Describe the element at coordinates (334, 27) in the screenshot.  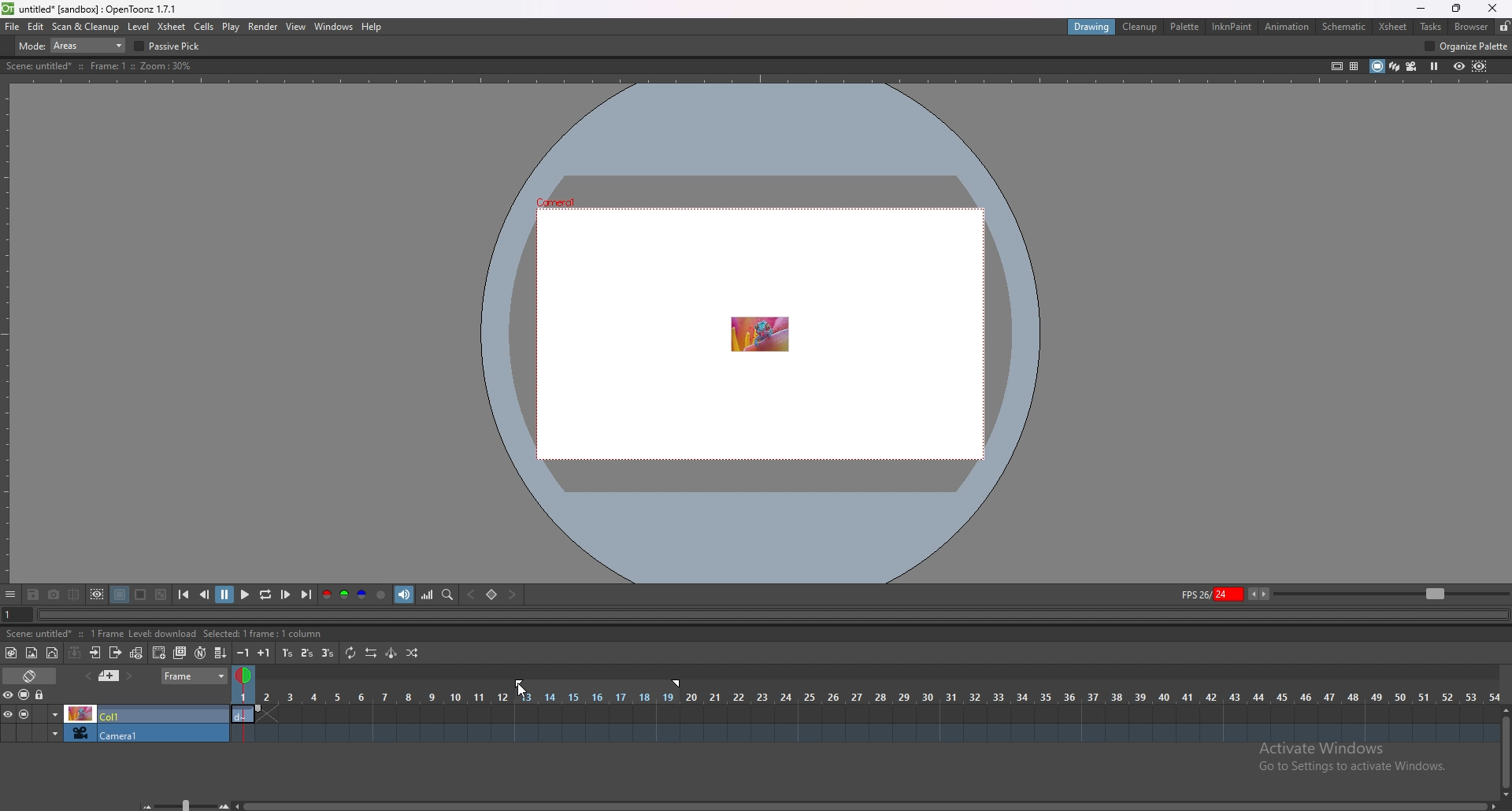
I see `windows` at that location.